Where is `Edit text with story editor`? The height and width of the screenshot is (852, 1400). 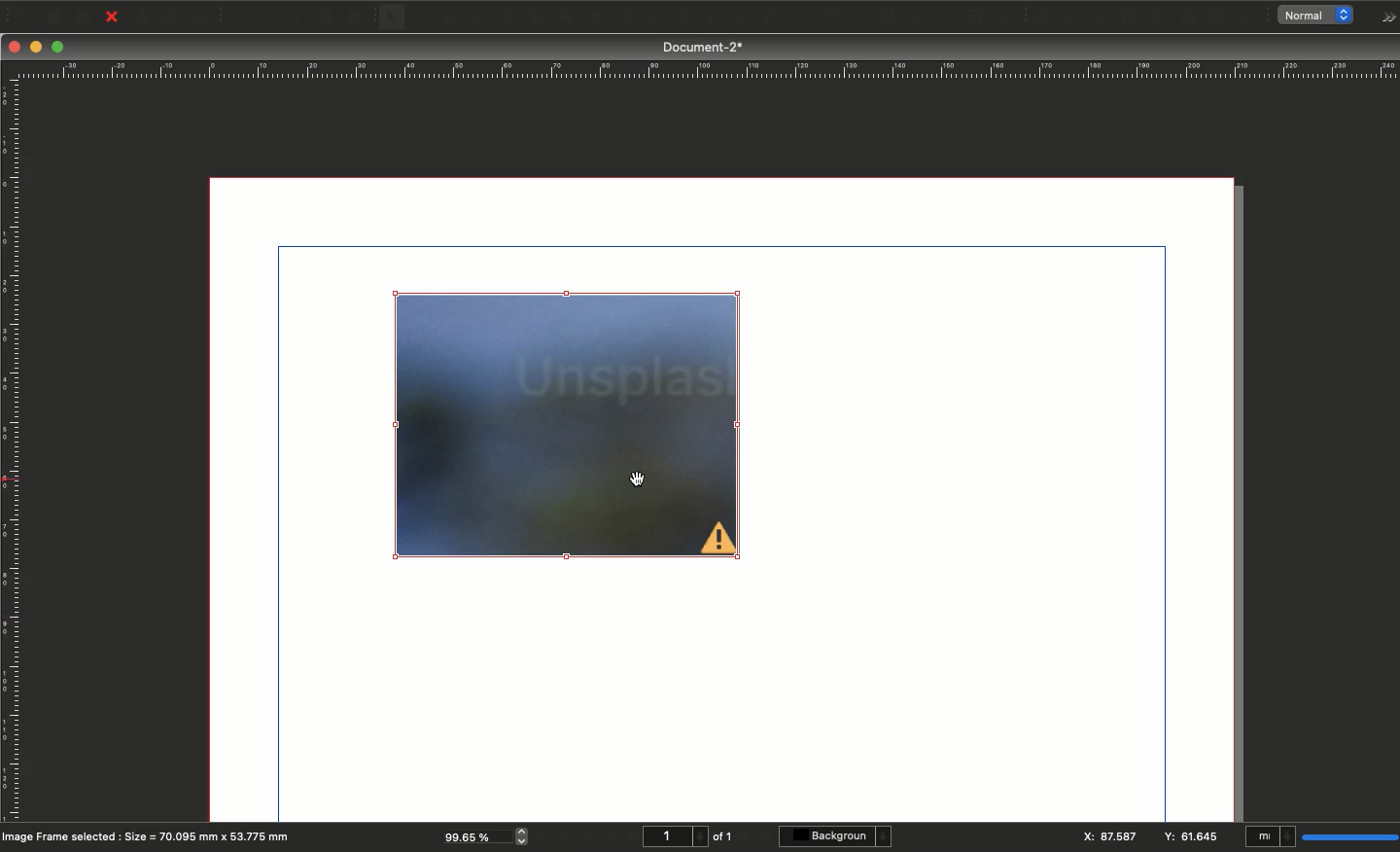
Edit text with story editor is located at coordinates (841, 18).